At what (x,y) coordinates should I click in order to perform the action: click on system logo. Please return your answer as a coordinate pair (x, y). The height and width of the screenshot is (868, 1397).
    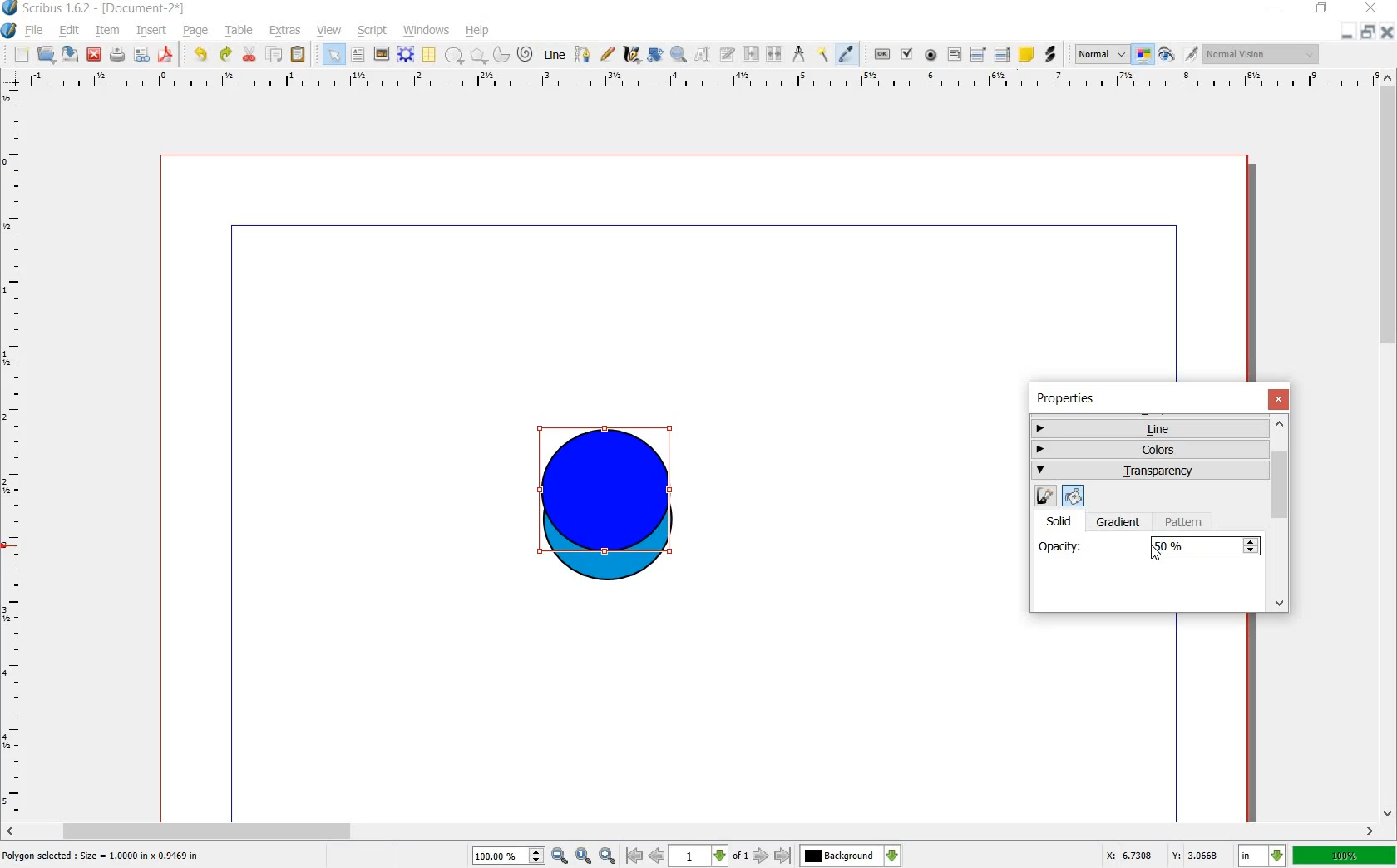
    Looking at the image, I should click on (8, 31).